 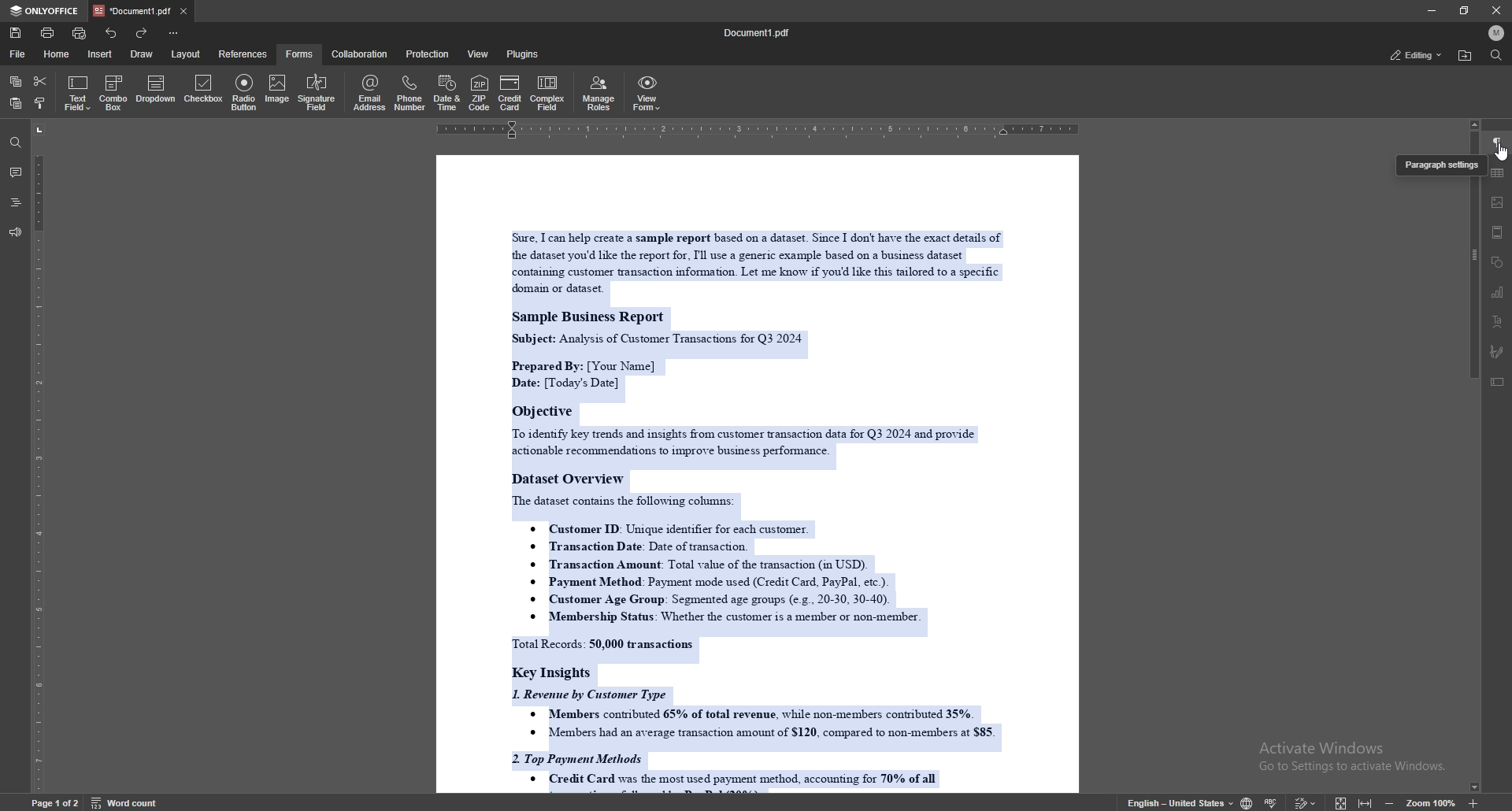 I want to click on scroll bar, so click(x=1476, y=486).